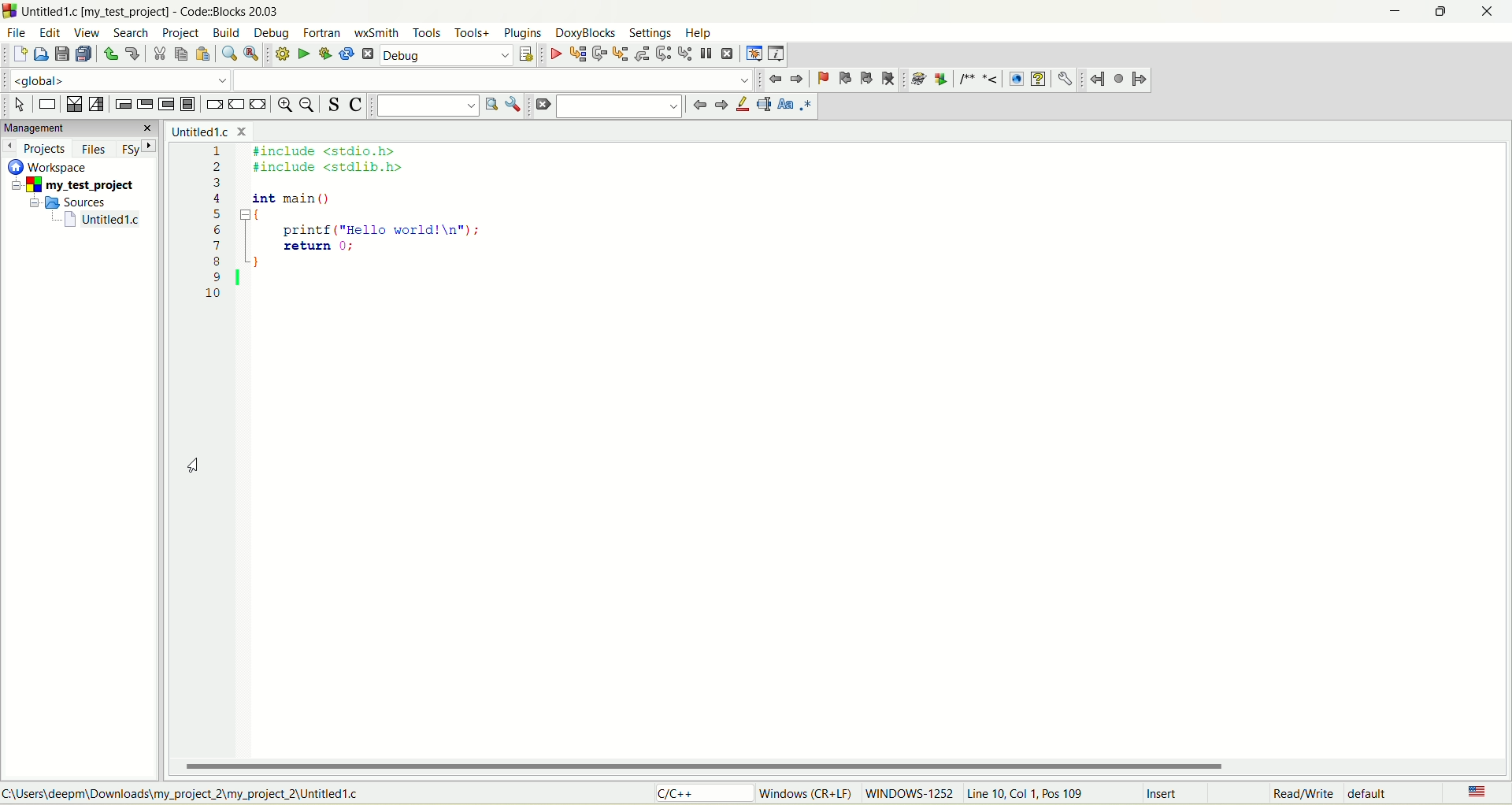 The height and width of the screenshot is (805, 1512). Describe the element at coordinates (364, 239) in the screenshot. I see `1 #include <stdio.h>2 #include <stdlib.h>3 4 int main()5 {6 printf ("Hello world!\n"); 7 return 0;8 } 9 10` at that location.